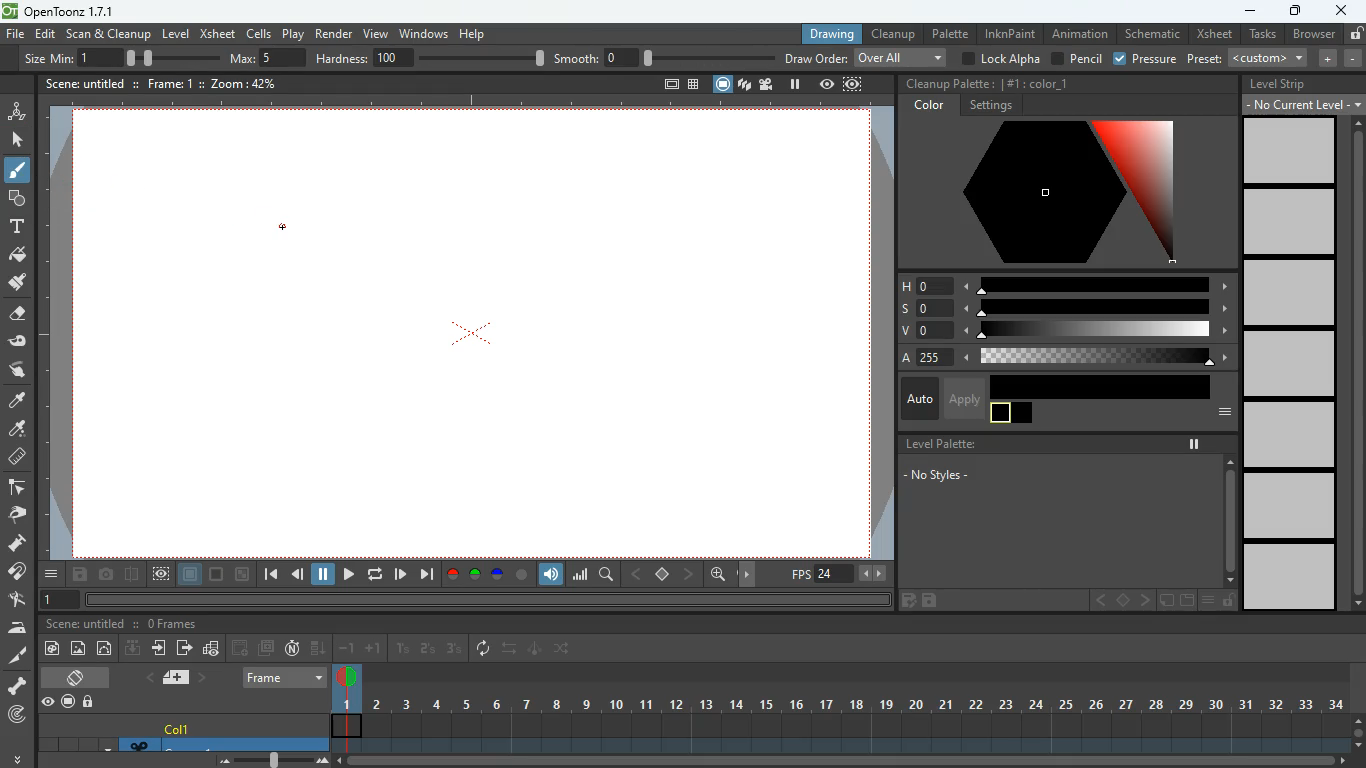  Describe the element at coordinates (564, 648) in the screenshot. I see `swap` at that location.